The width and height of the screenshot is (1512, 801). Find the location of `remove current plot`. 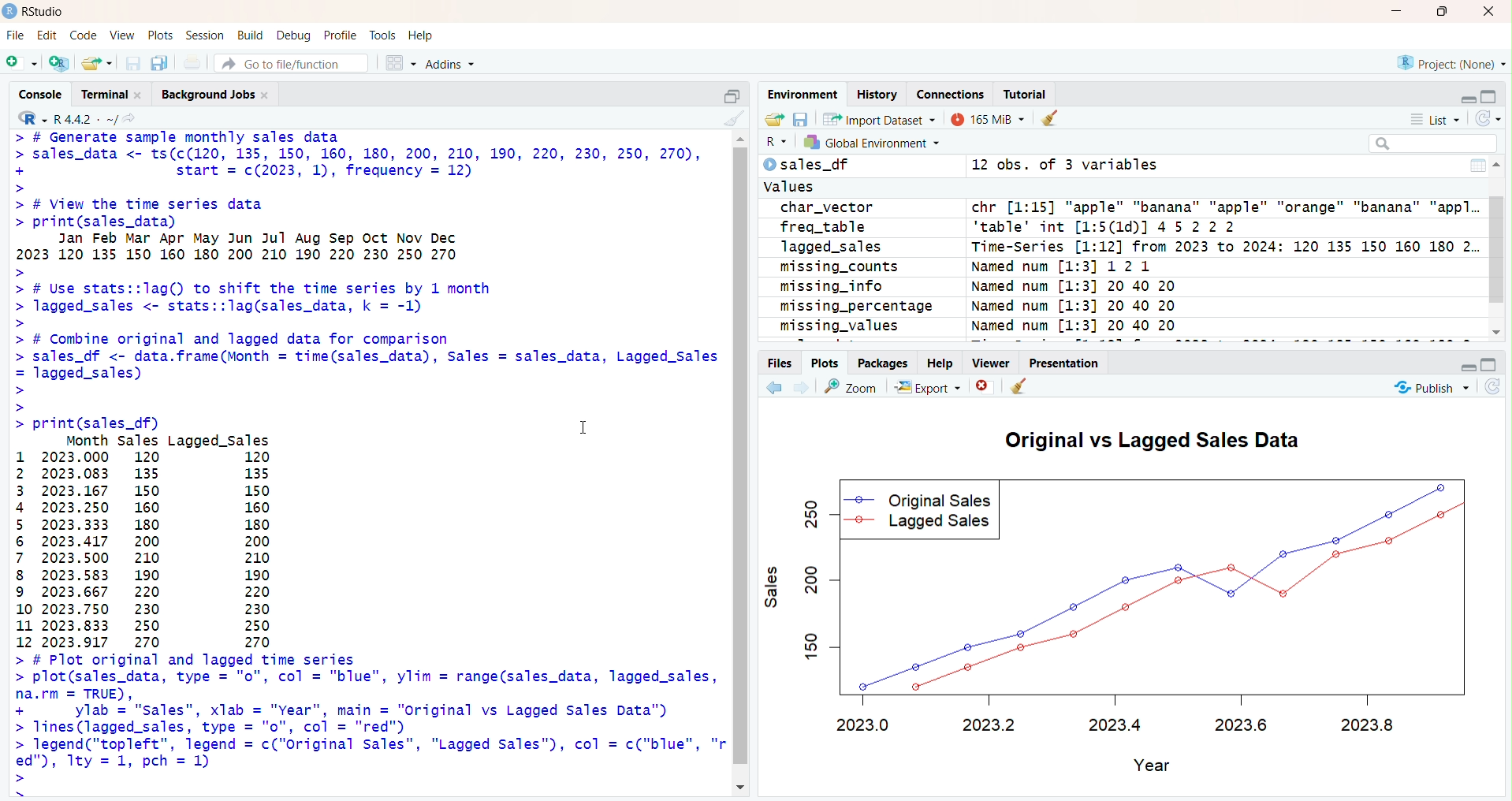

remove current plot is located at coordinates (986, 388).